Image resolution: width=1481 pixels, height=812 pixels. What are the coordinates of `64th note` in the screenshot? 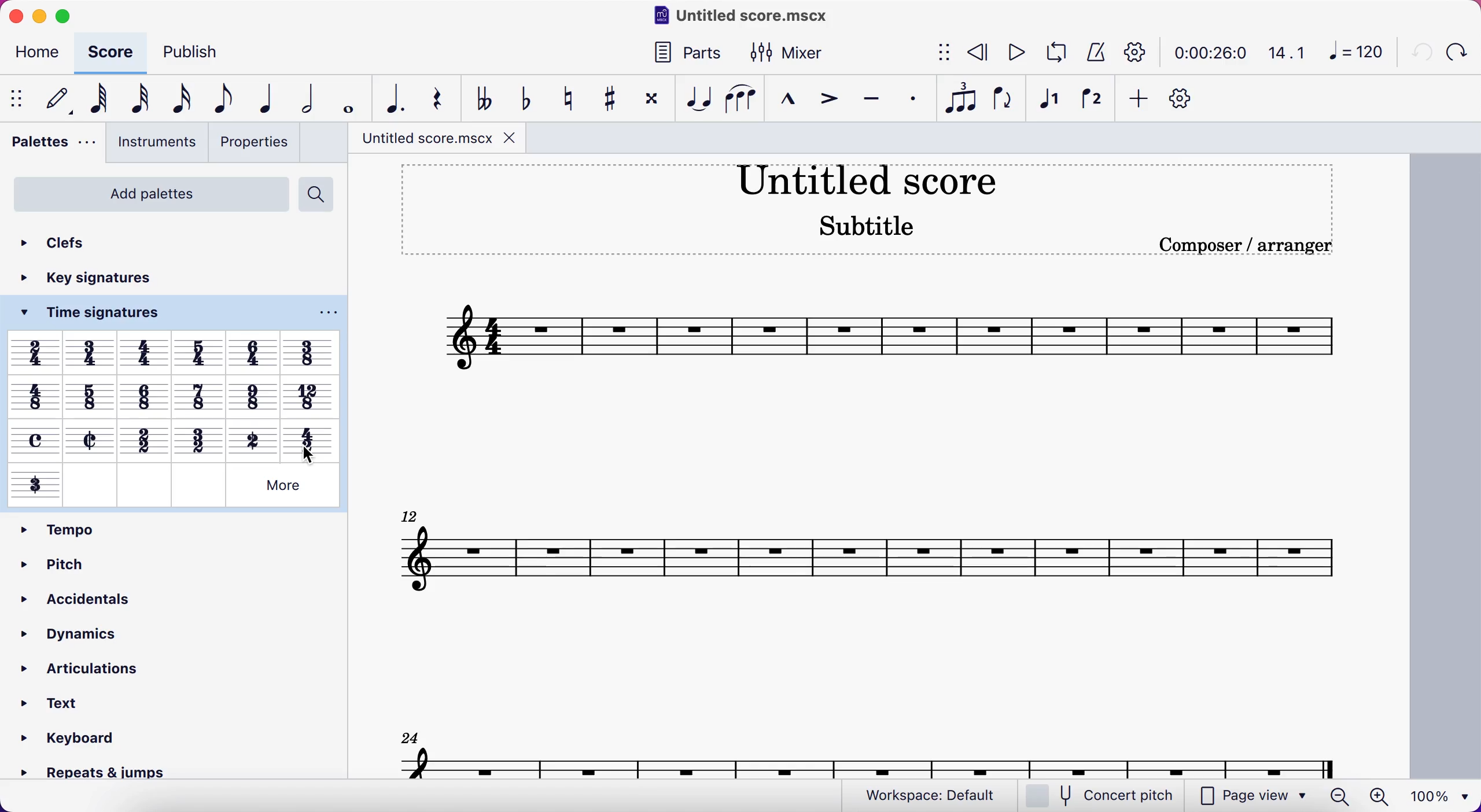 It's located at (96, 100).